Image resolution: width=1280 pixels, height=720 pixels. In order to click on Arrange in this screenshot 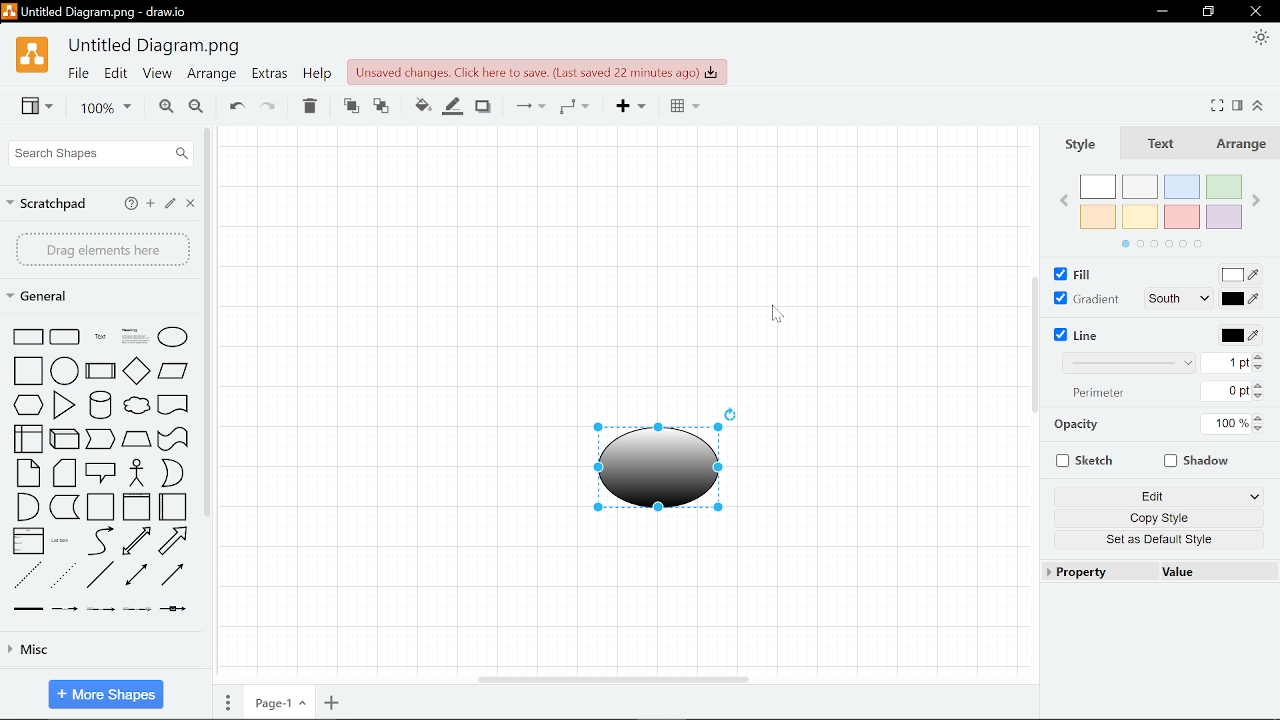, I will do `click(1239, 145)`.